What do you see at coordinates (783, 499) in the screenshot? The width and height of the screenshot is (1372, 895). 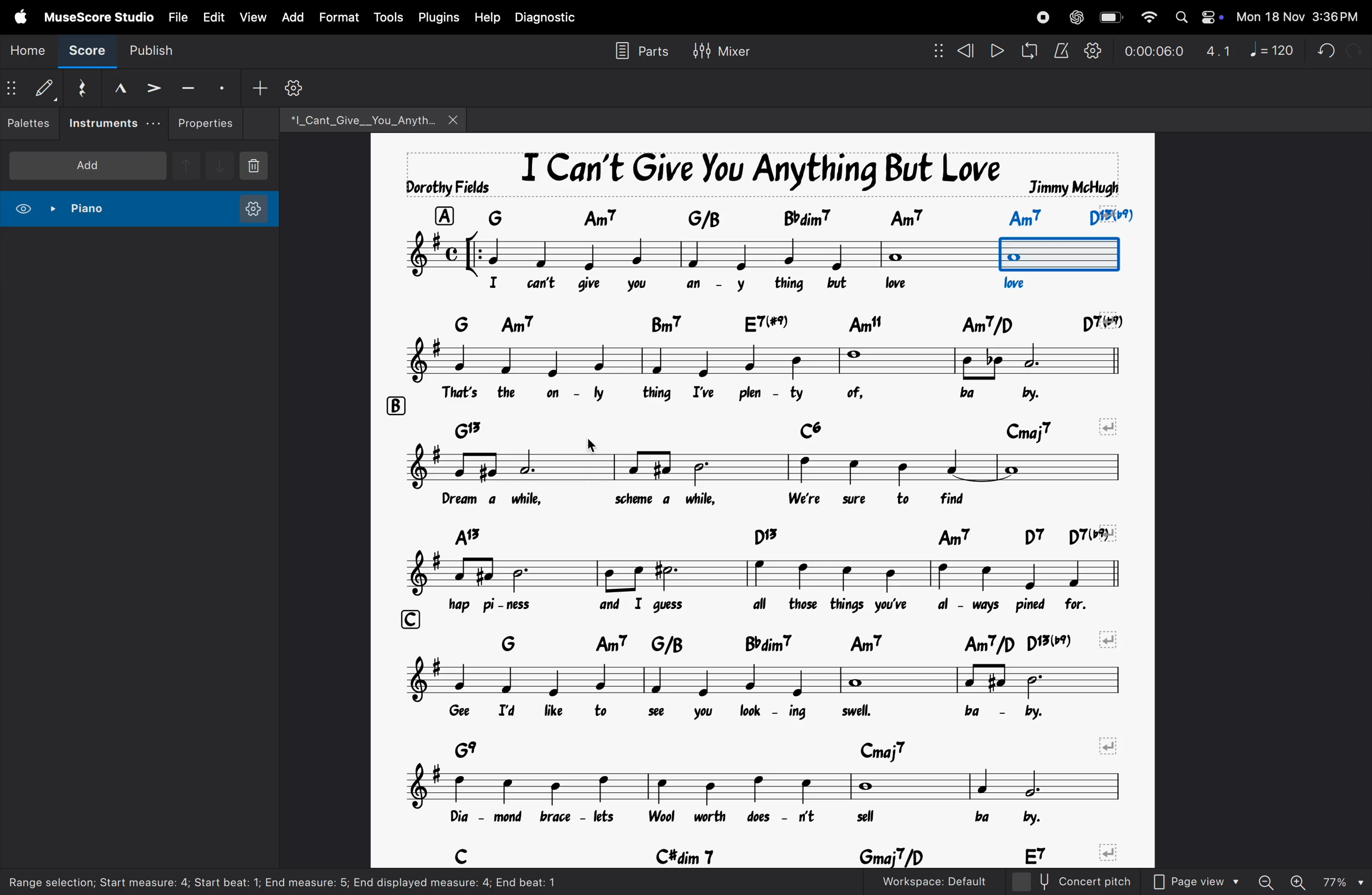 I see `lyrics` at bounding box center [783, 499].